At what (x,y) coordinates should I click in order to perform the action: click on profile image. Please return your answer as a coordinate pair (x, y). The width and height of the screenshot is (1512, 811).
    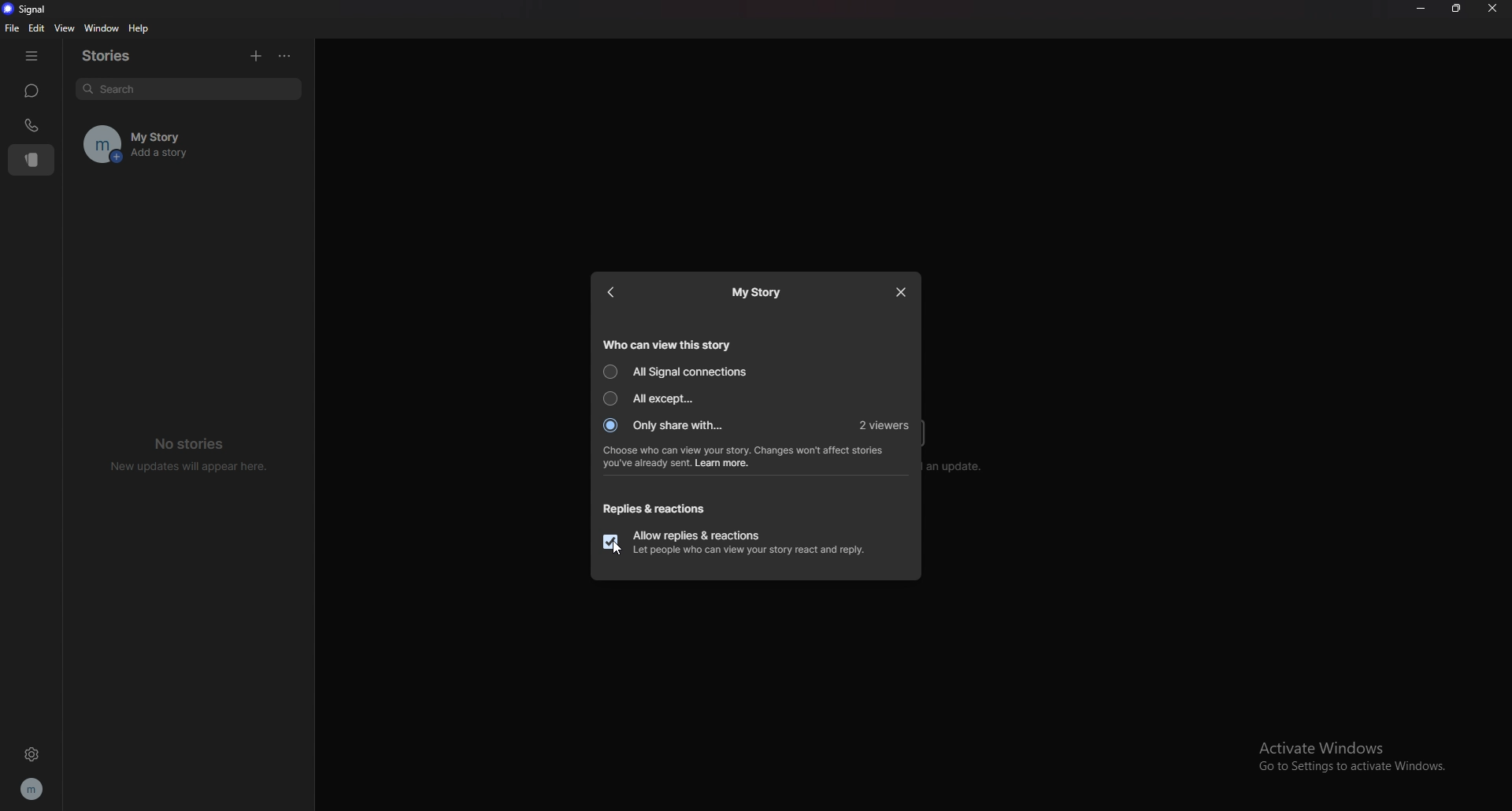
    Looking at the image, I should click on (96, 143).